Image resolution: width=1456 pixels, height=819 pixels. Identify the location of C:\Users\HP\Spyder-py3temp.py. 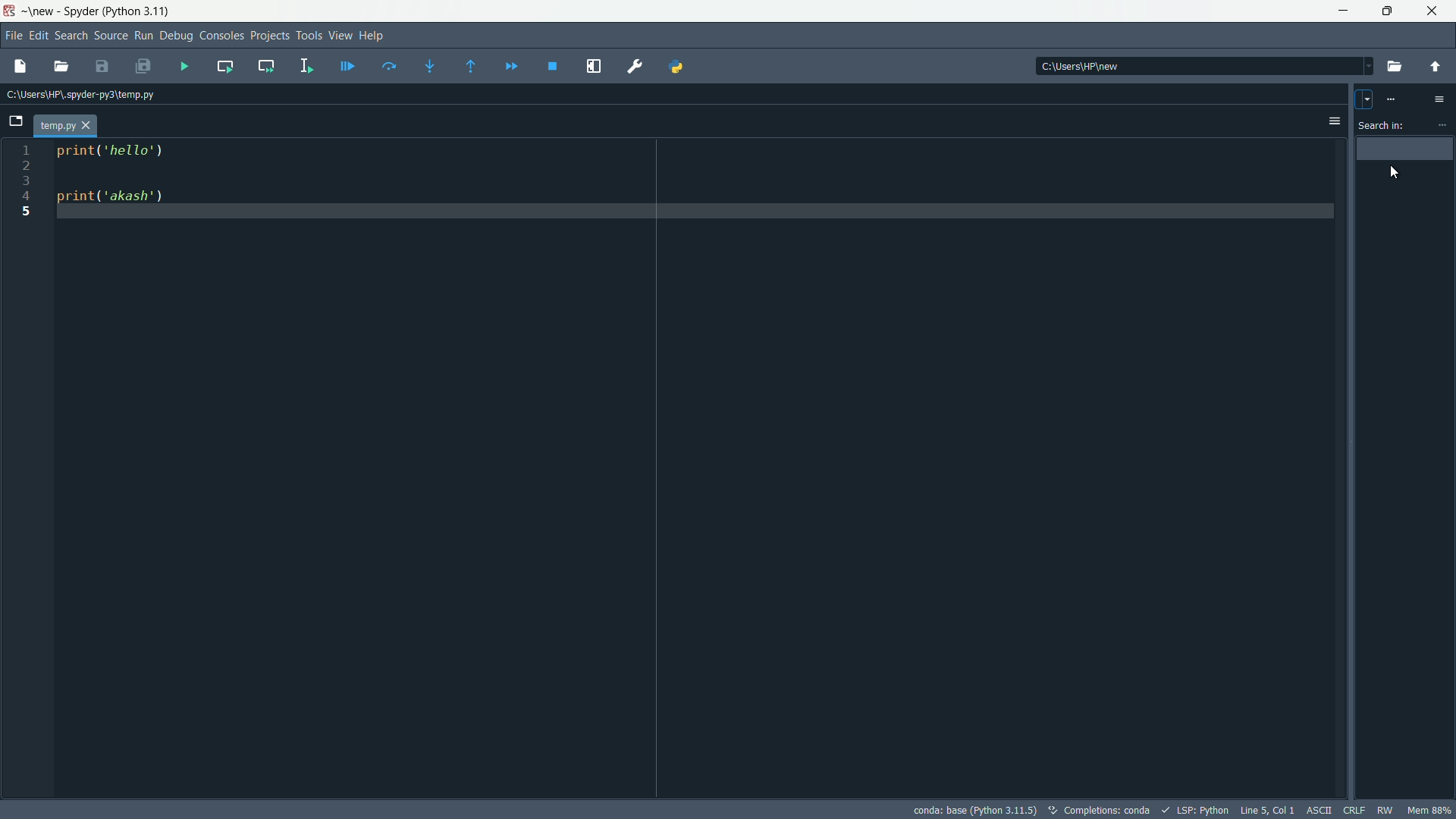
(81, 93).